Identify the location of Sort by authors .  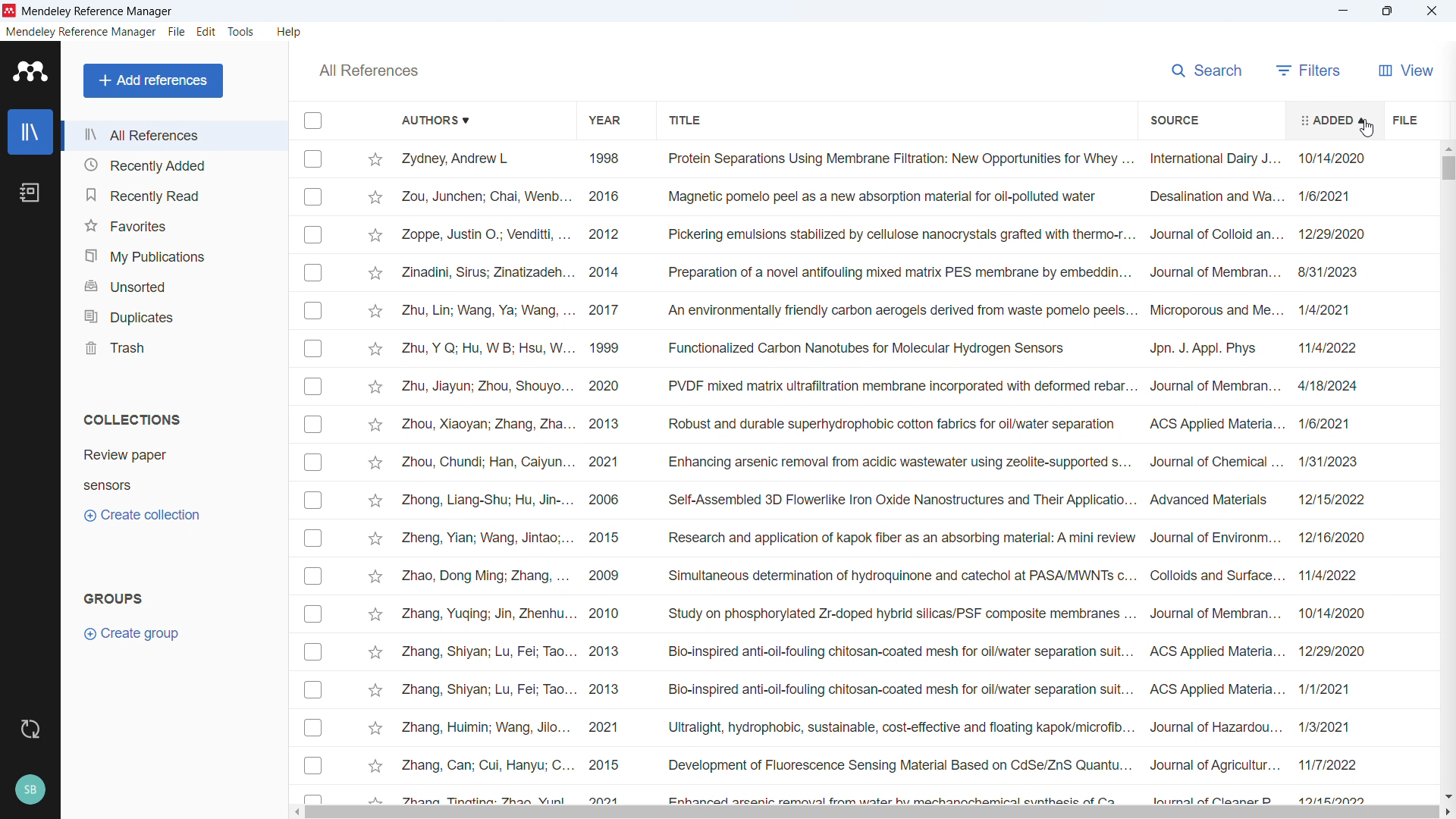
(435, 118).